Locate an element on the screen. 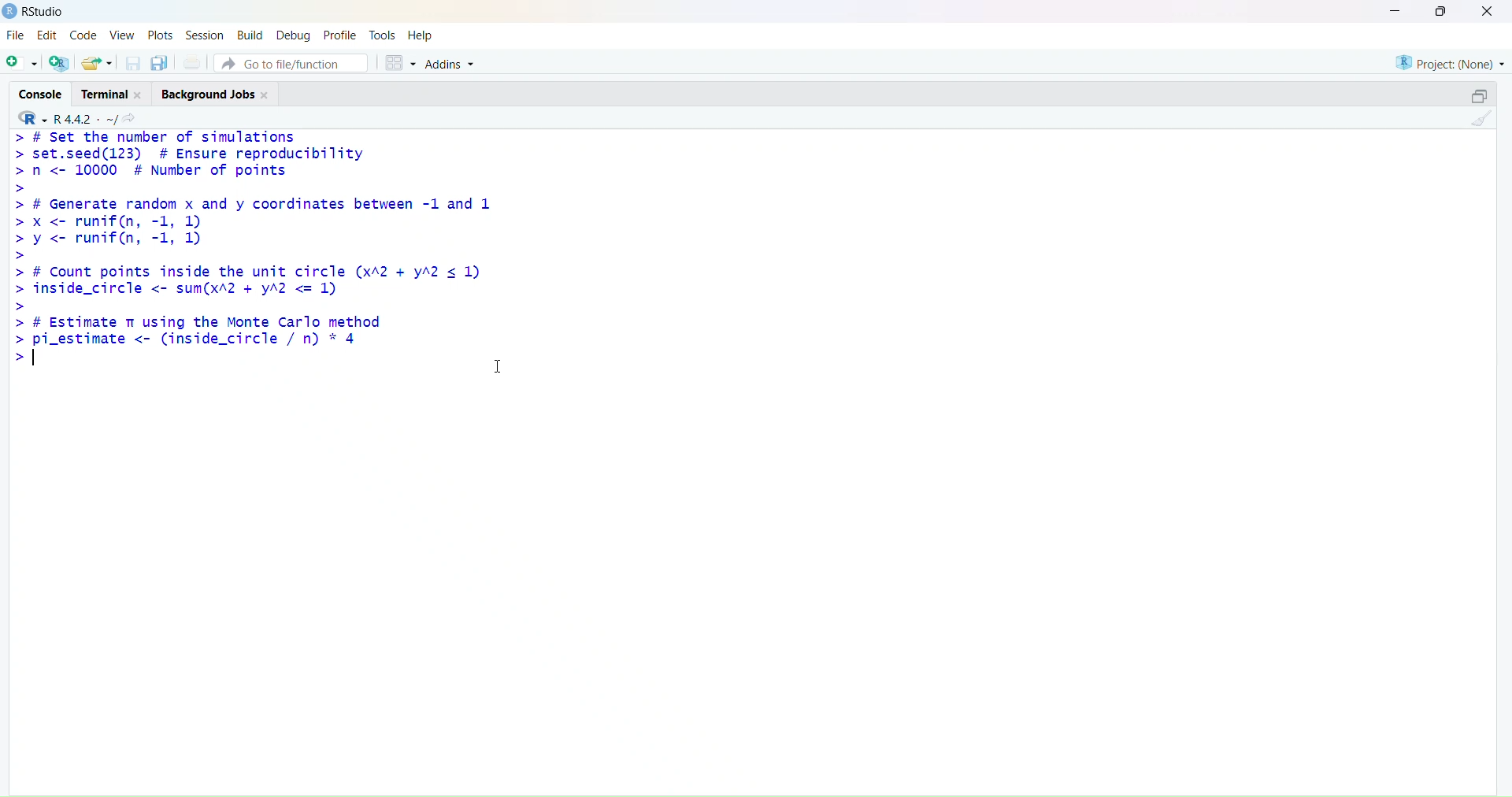  # FF SI WN VIEW YN TED SS SS
> set.seed(123) # Ensure reproducibility

> n <- 10000 # Number of points

>

> # Generate random x and y coordinates between -1 and 1
> x <= runif(n, -1, 1)

> y <= runif(n, -1, 1)

>

> # Count points inside the unit circle (xA2 + yA2 <1)

> inside_circle <- sum(xA2 + yA2 <= 1)

>

> # Estimate m using the Monte Carlo method

> pi_estimate <- (inside_circle / n) * 4

>| 1 is located at coordinates (261, 261).